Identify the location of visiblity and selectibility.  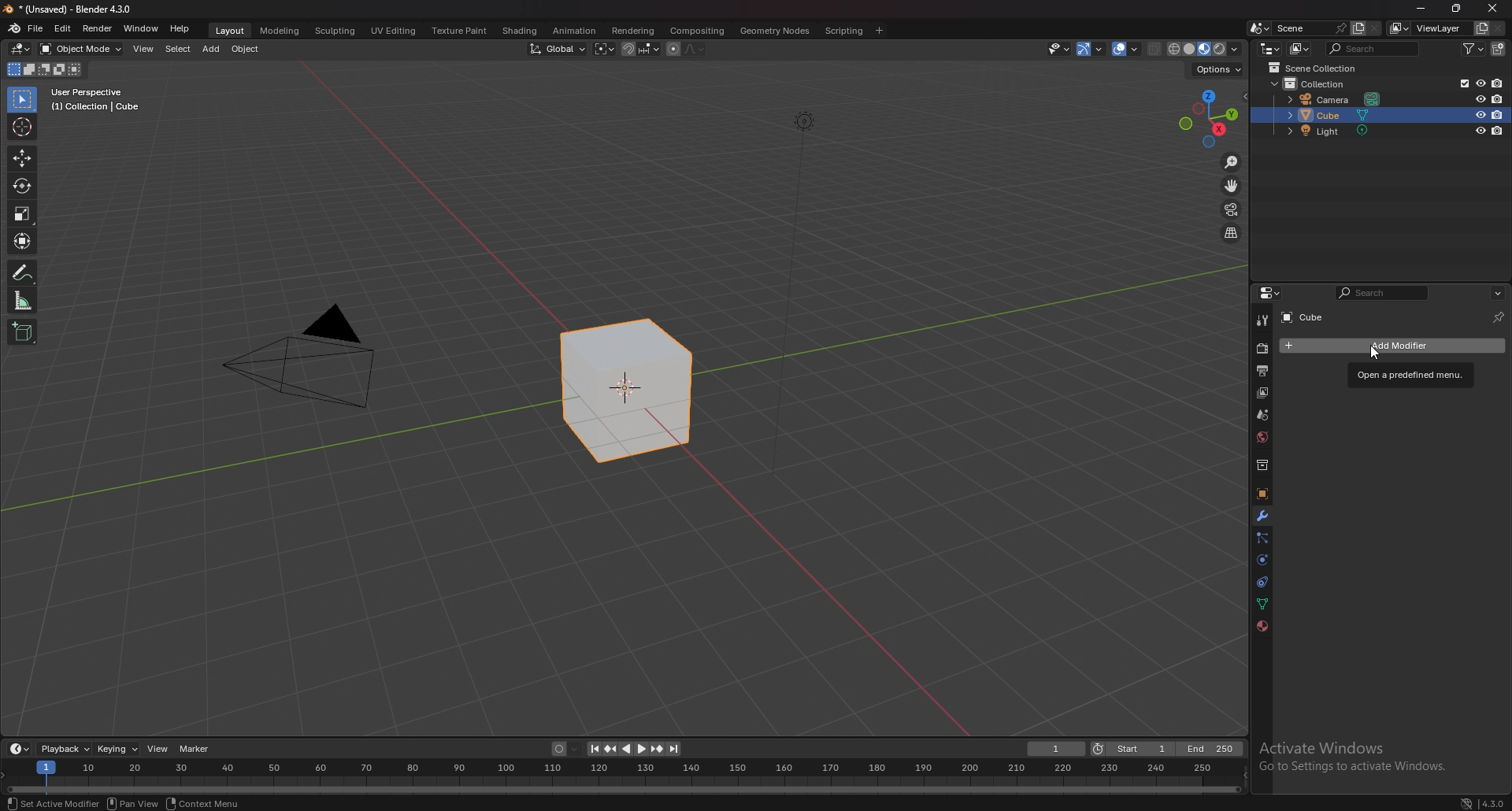
(1058, 49).